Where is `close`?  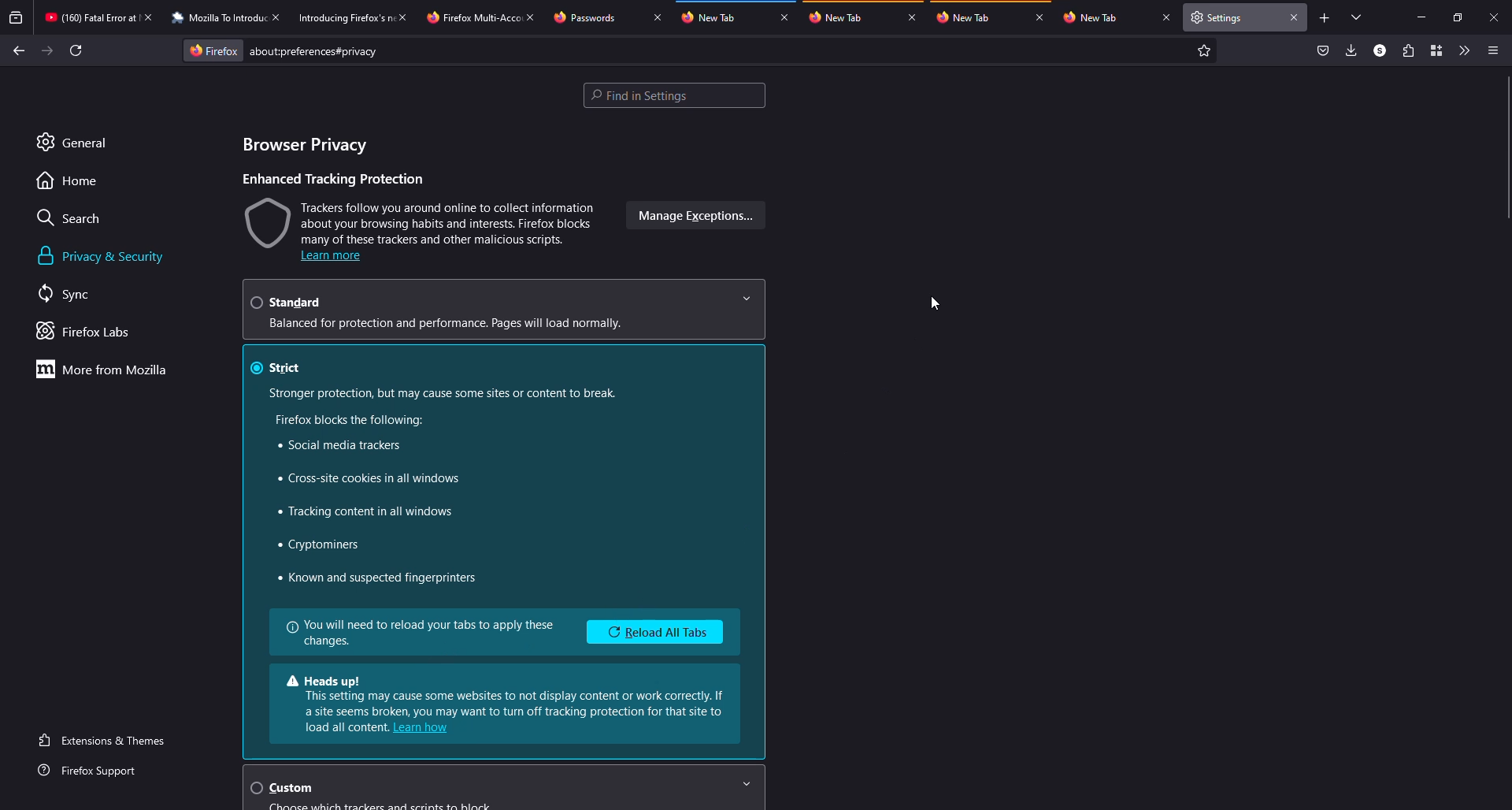
close is located at coordinates (534, 17).